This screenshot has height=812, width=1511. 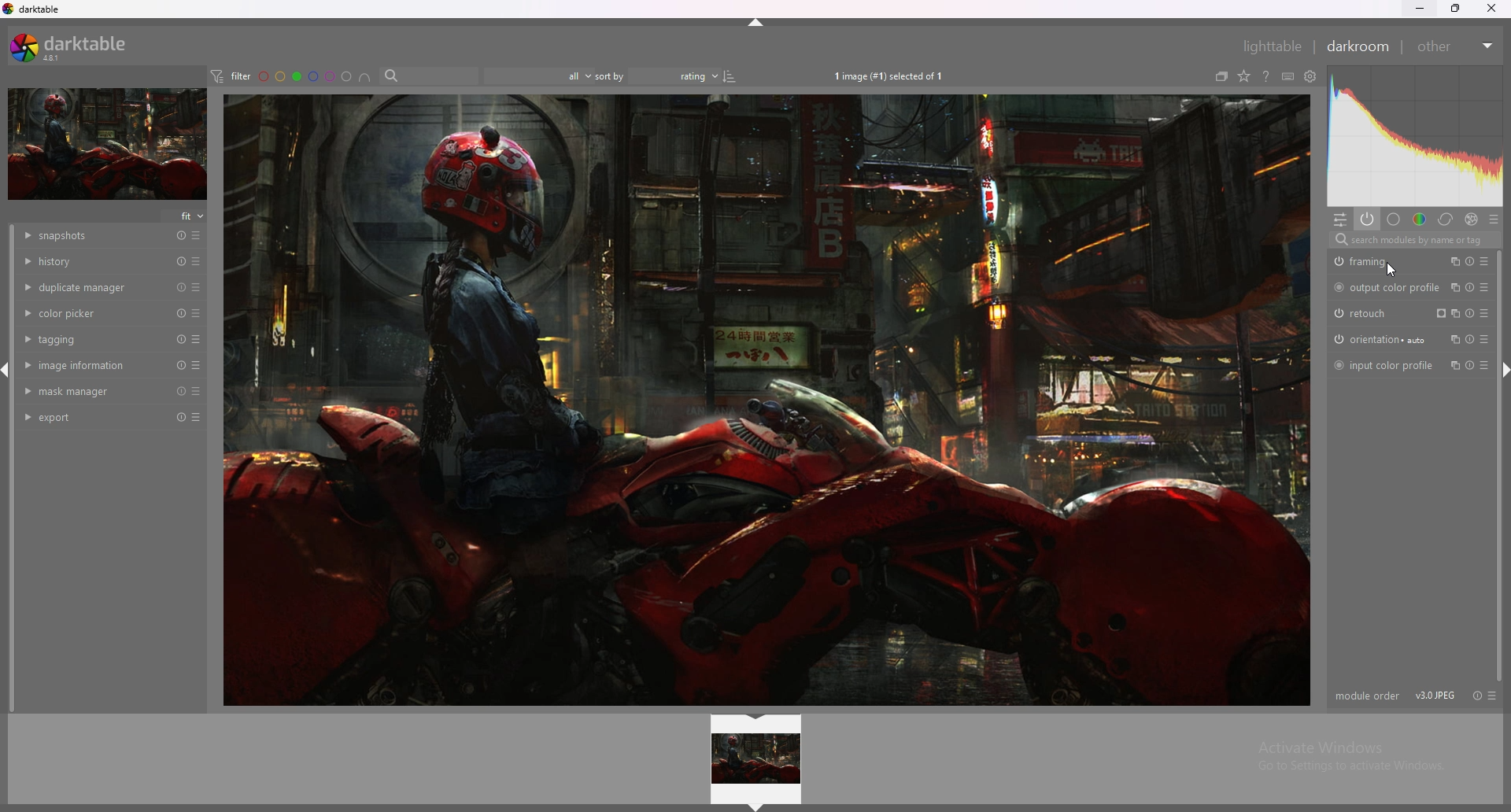 What do you see at coordinates (1357, 46) in the screenshot?
I see `darkroom` at bounding box center [1357, 46].